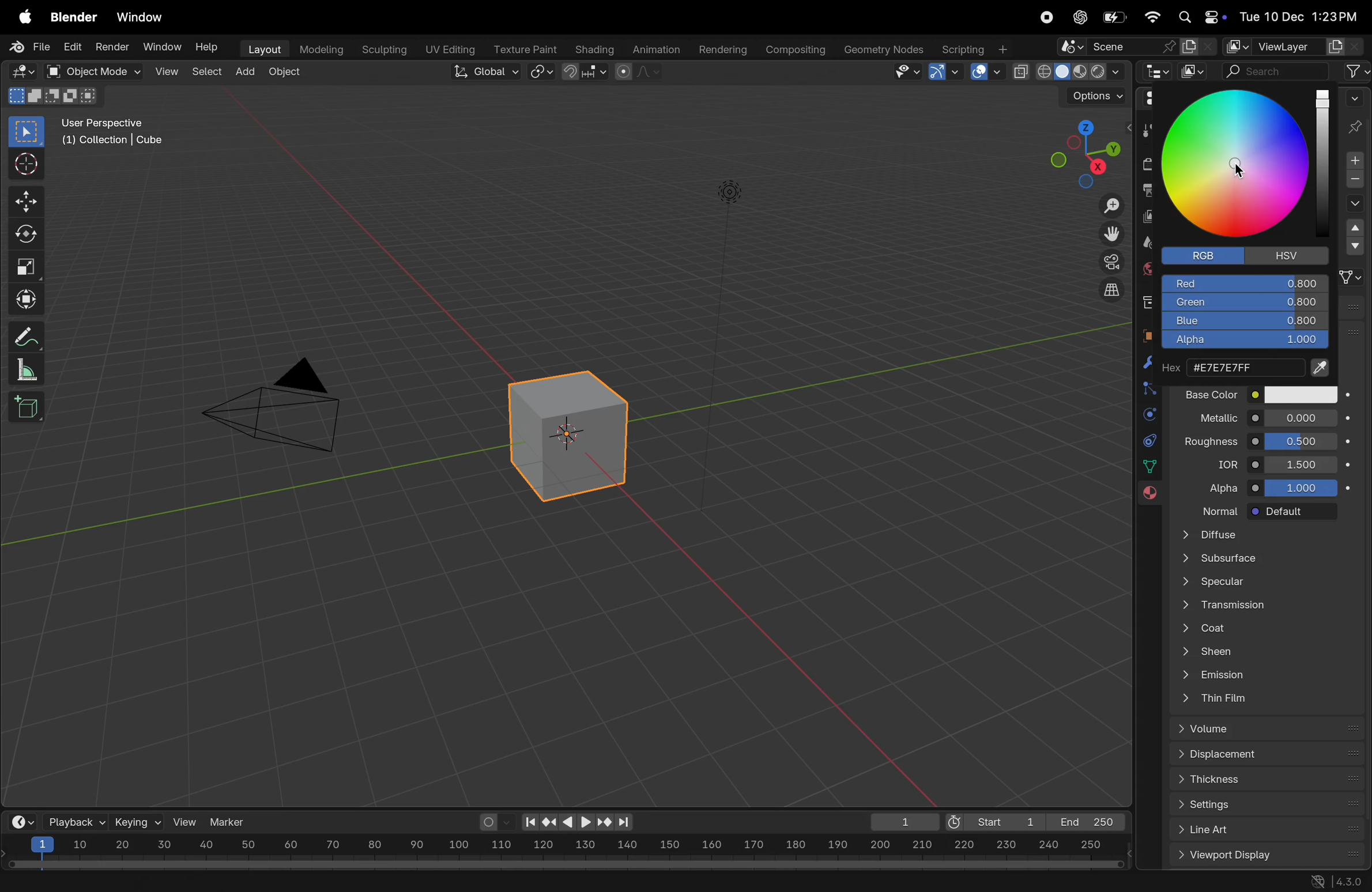  What do you see at coordinates (564, 846) in the screenshot?
I see `scale` at bounding box center [564, 846].